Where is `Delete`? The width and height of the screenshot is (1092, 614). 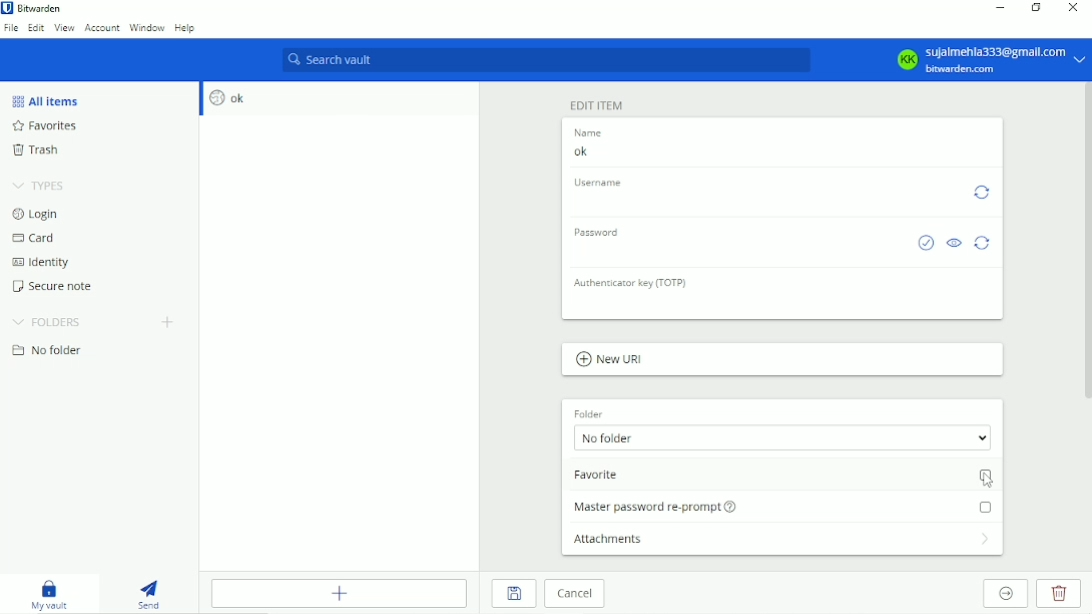 Delete is located at coordinates (1059, 593).